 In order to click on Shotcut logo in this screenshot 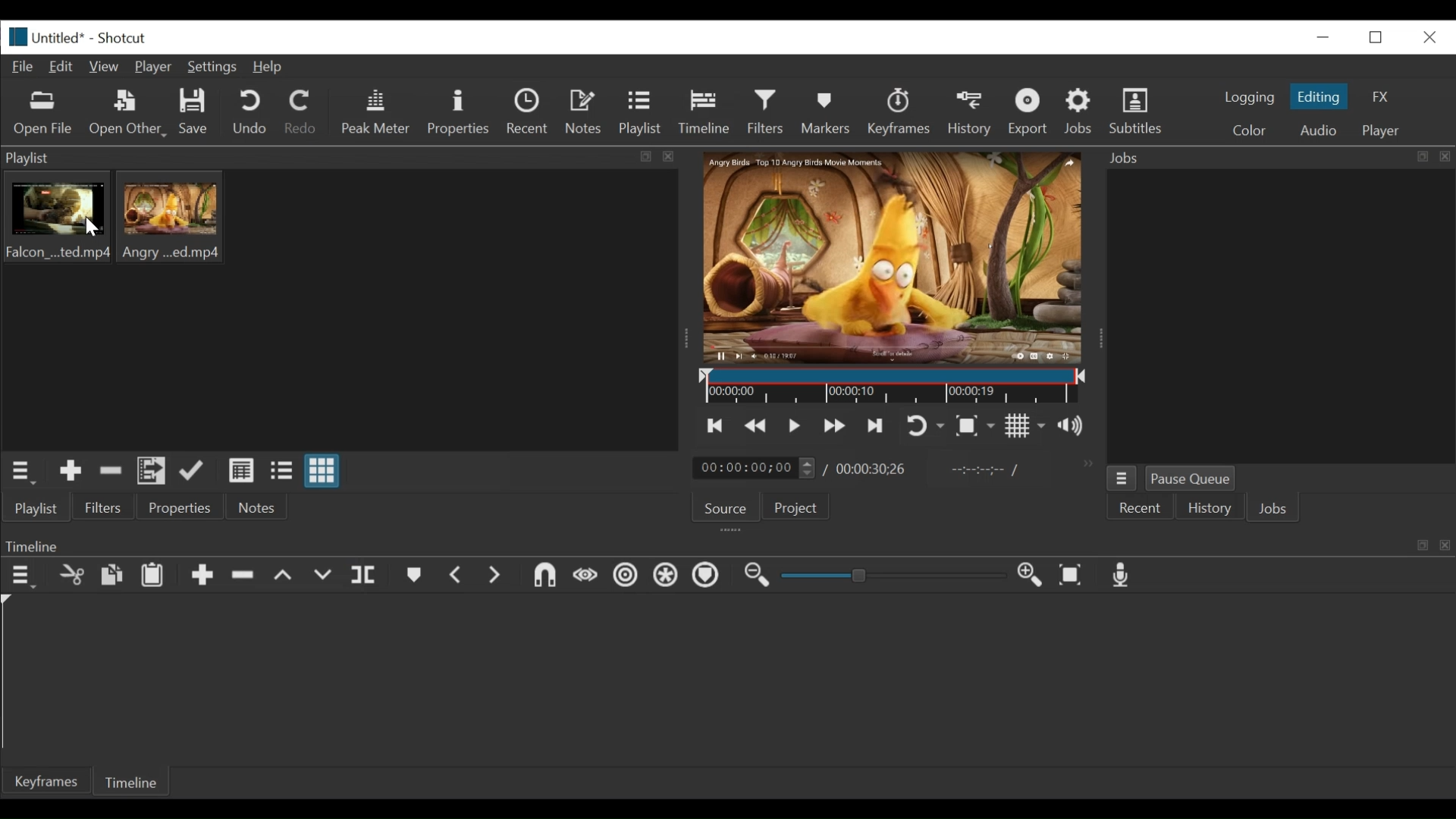, I will do `click(14, 35)`.